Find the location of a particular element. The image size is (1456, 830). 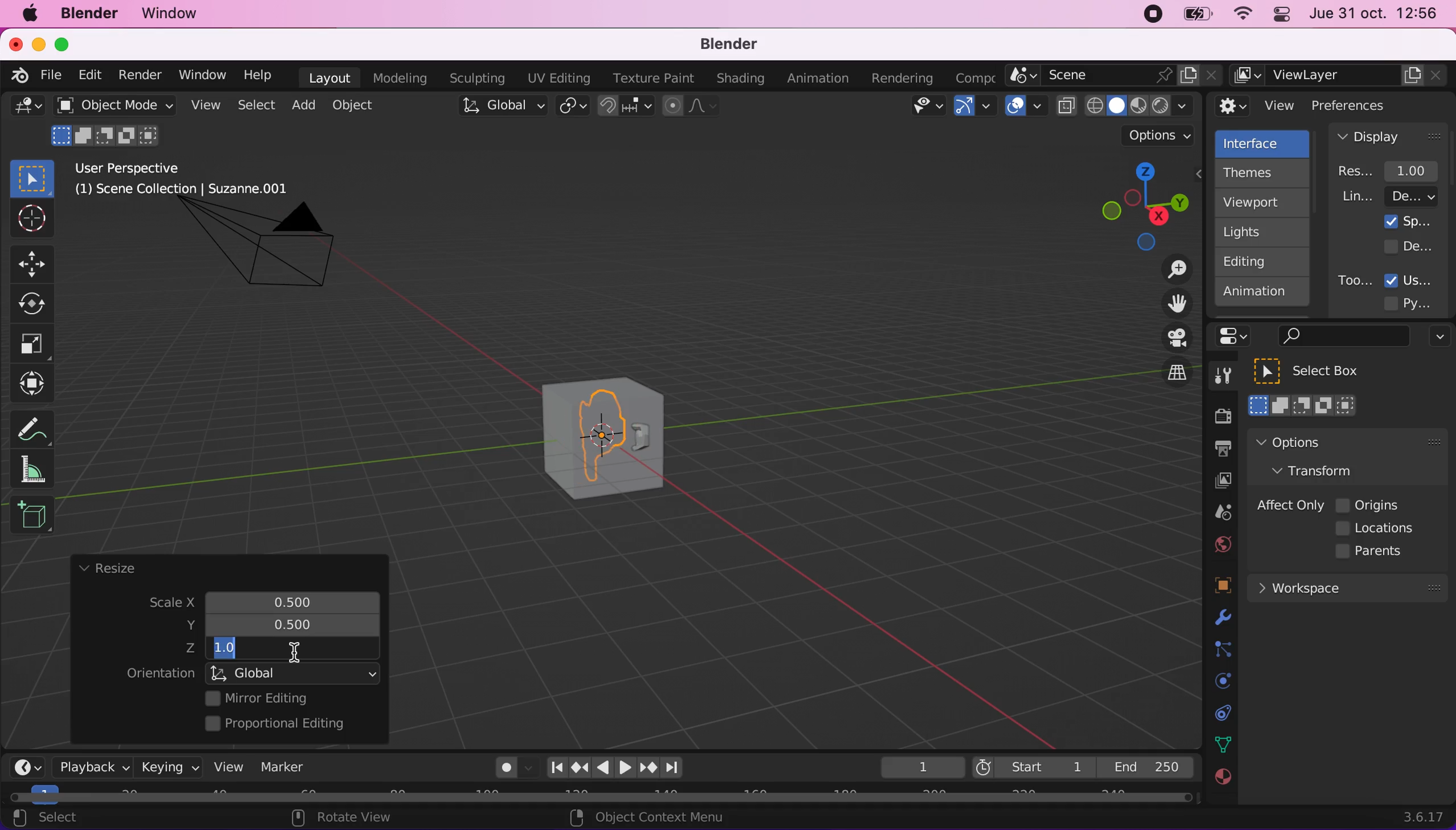

sculpting is located at coordinates (474, 78).